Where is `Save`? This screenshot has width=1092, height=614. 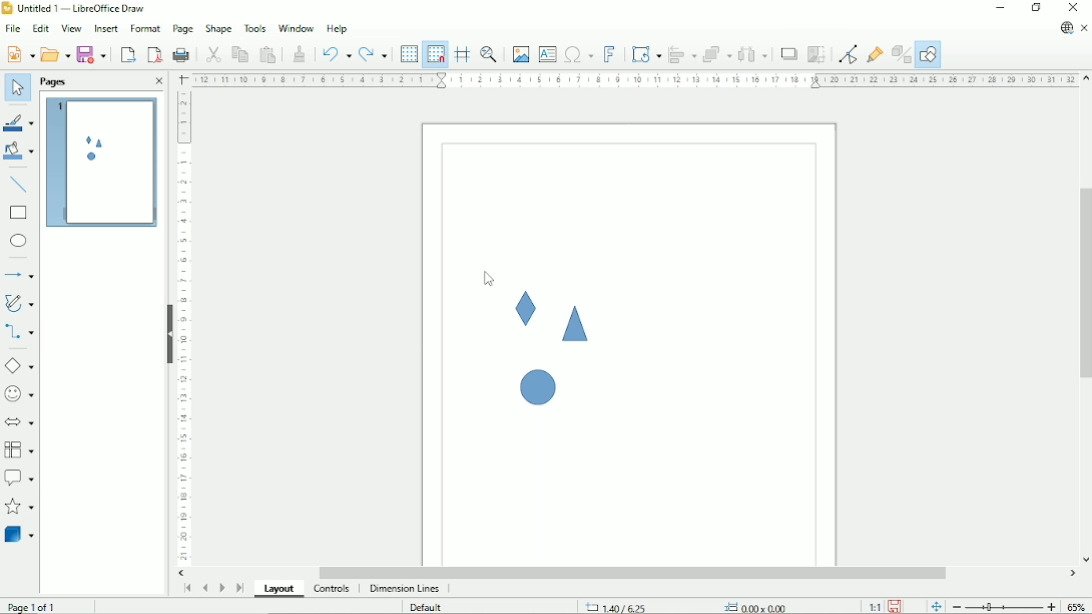
Save is located at coordinates (94, 53).